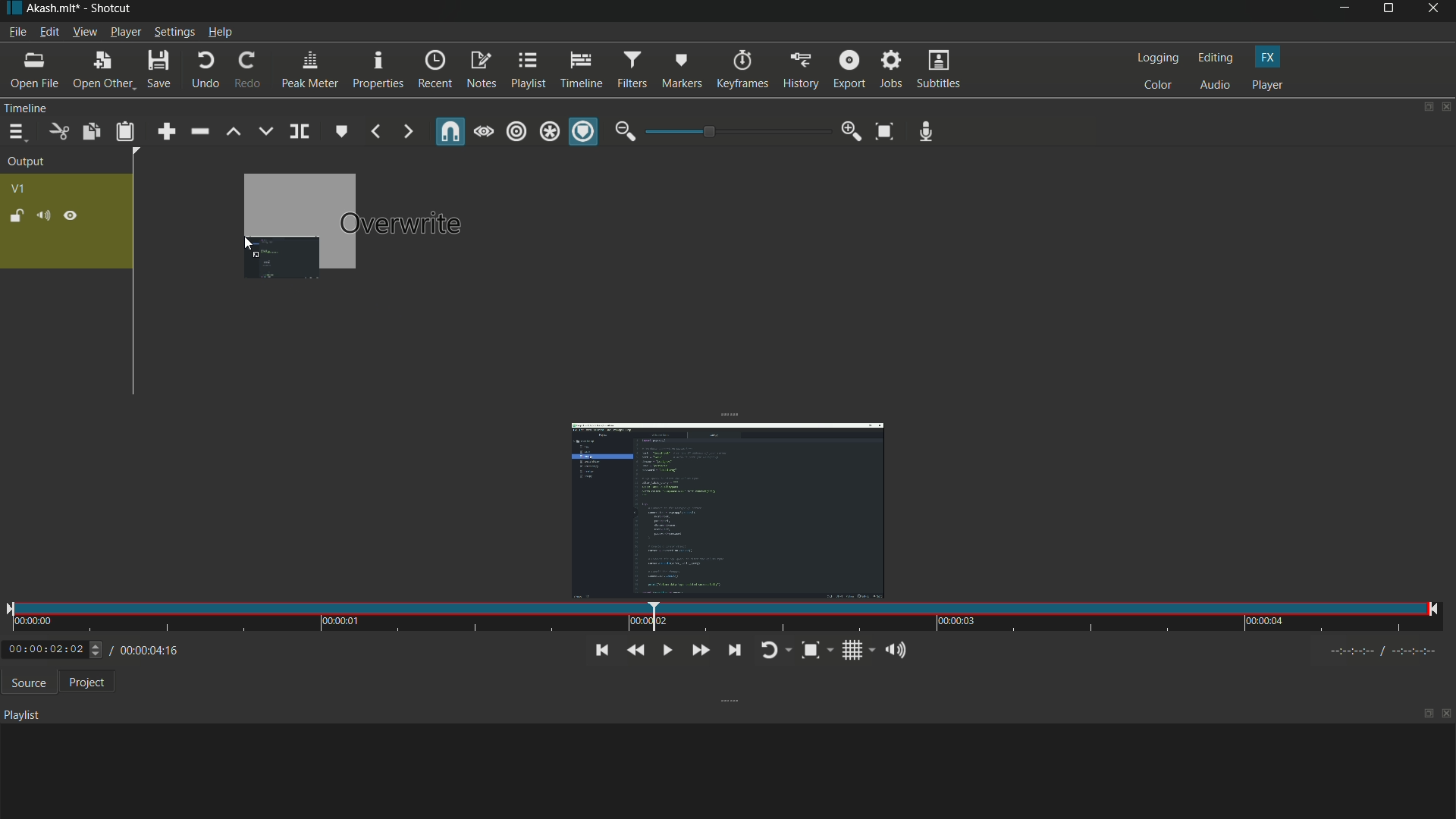  I want to click on Timeline, so click(54, 108).